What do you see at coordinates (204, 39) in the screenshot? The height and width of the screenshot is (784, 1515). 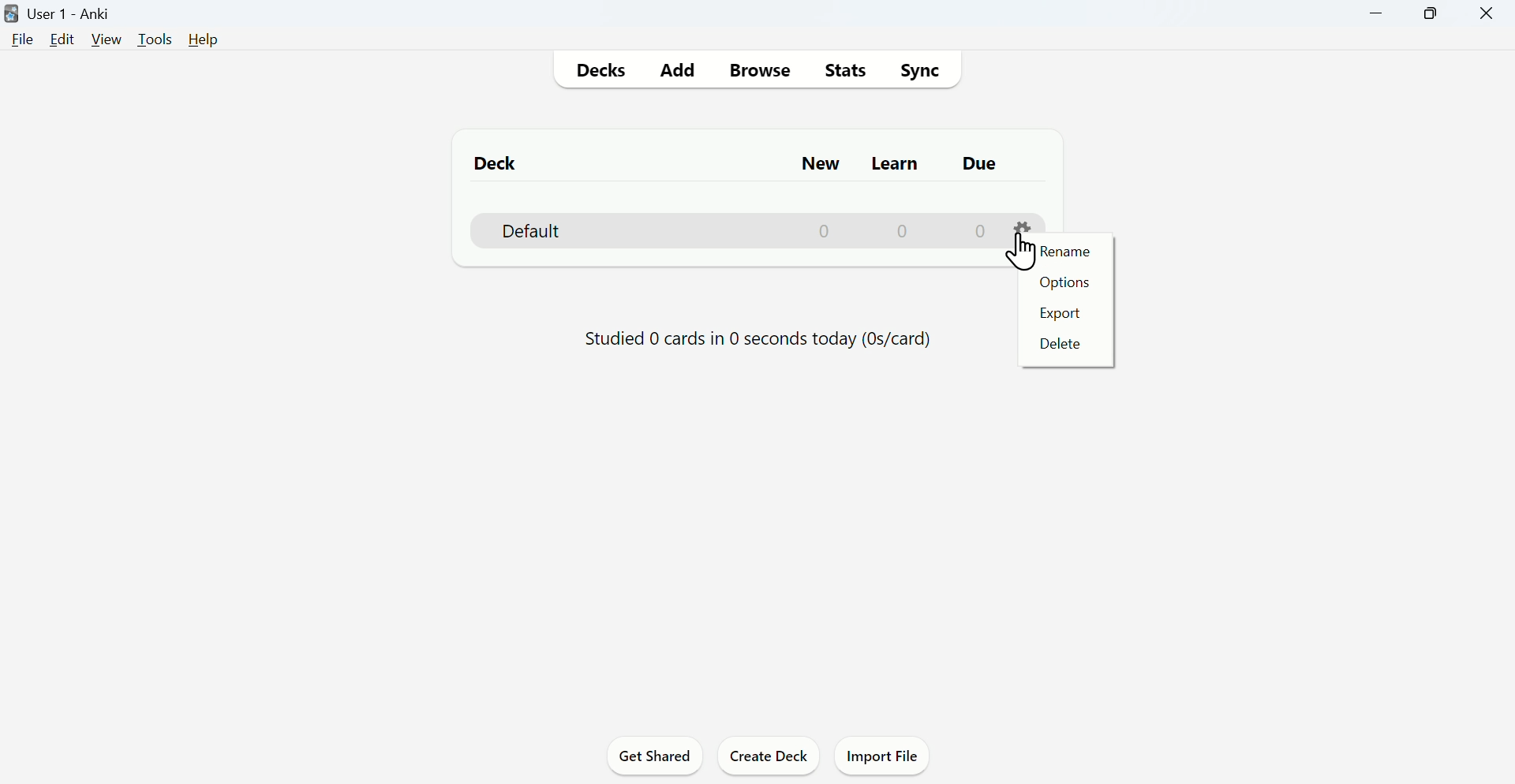 I see `Help` at bounding box center [204, 39].